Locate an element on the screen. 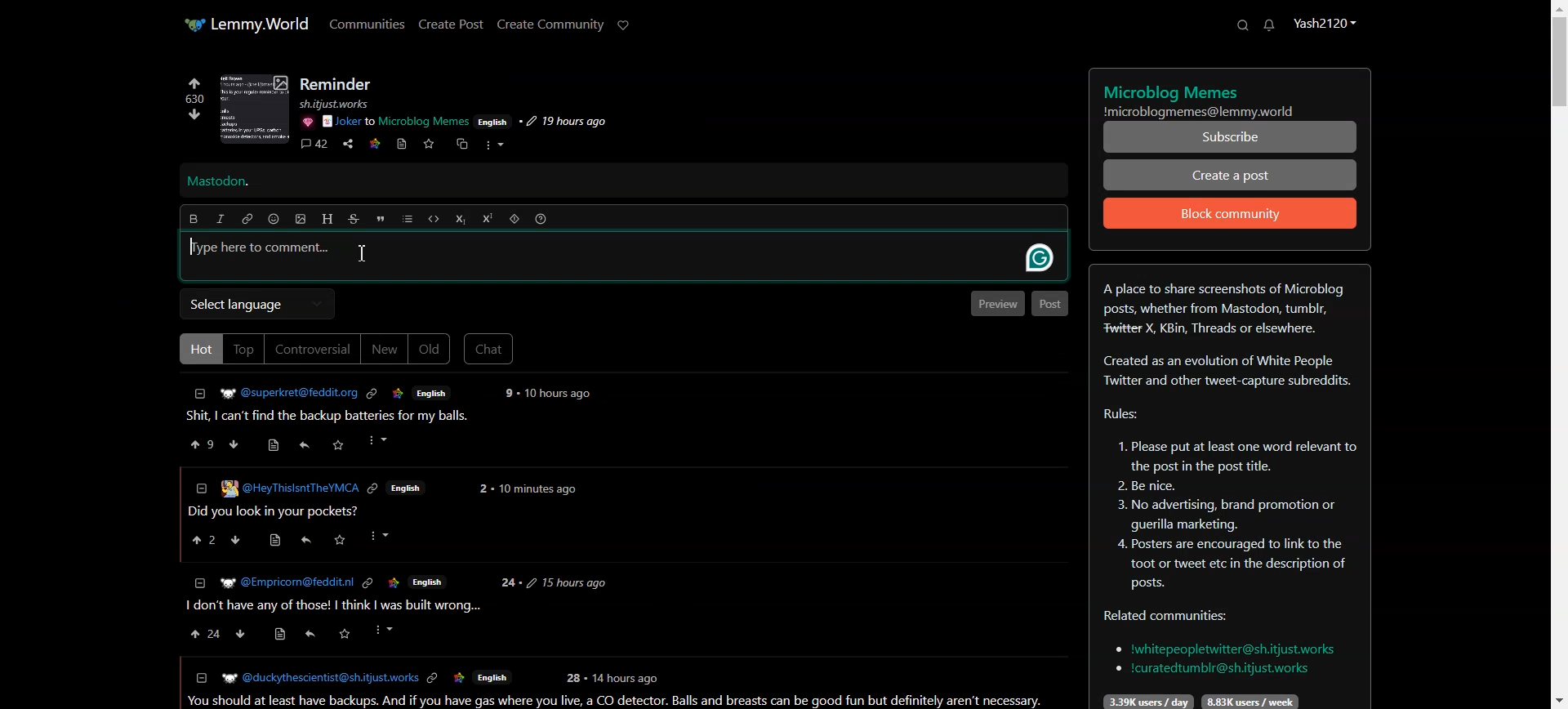  Block community is located at coordinates (1231, 213).